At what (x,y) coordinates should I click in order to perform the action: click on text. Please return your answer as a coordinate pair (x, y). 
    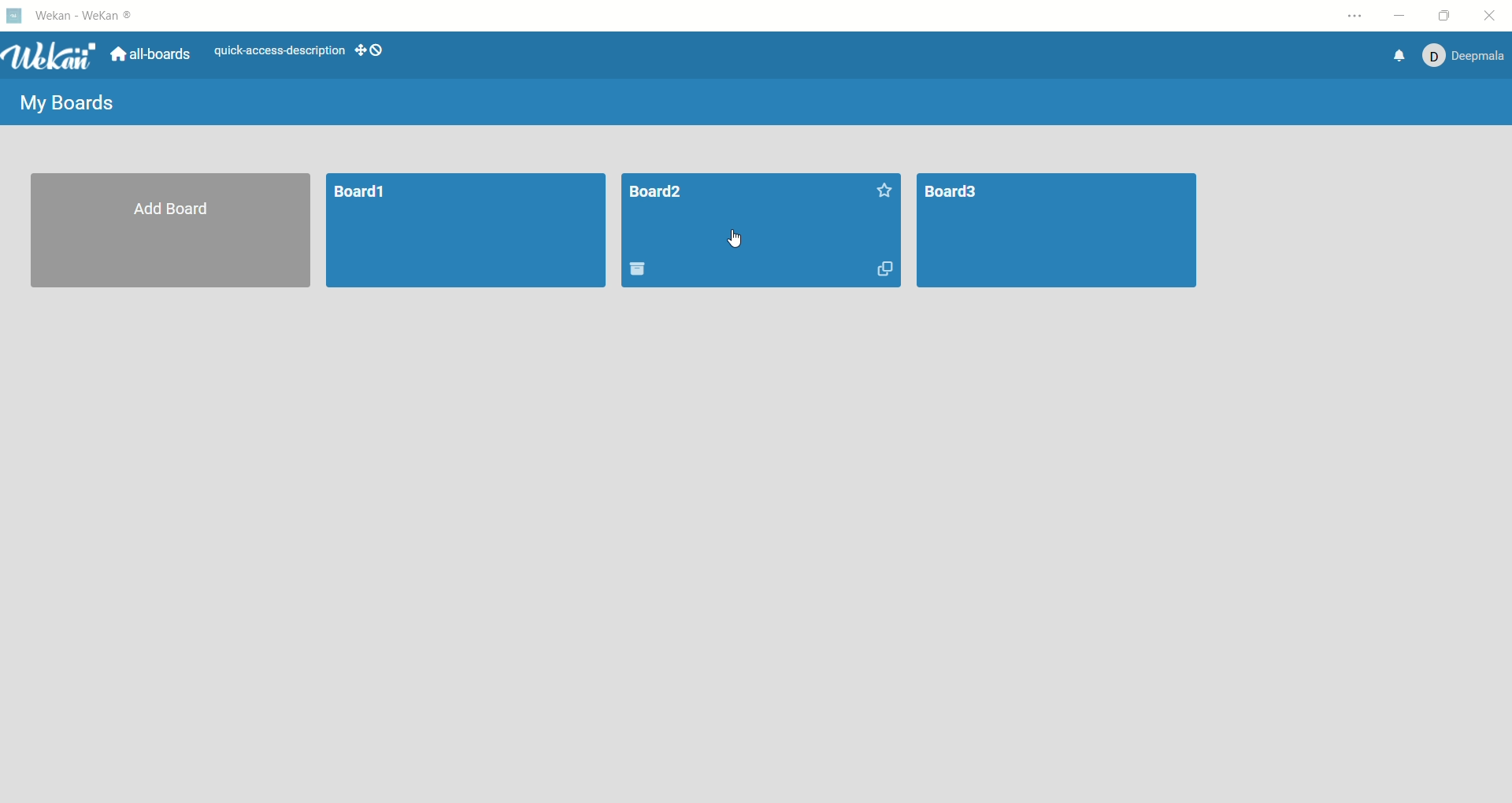
    Looking at the image, I should click on (281, 52).